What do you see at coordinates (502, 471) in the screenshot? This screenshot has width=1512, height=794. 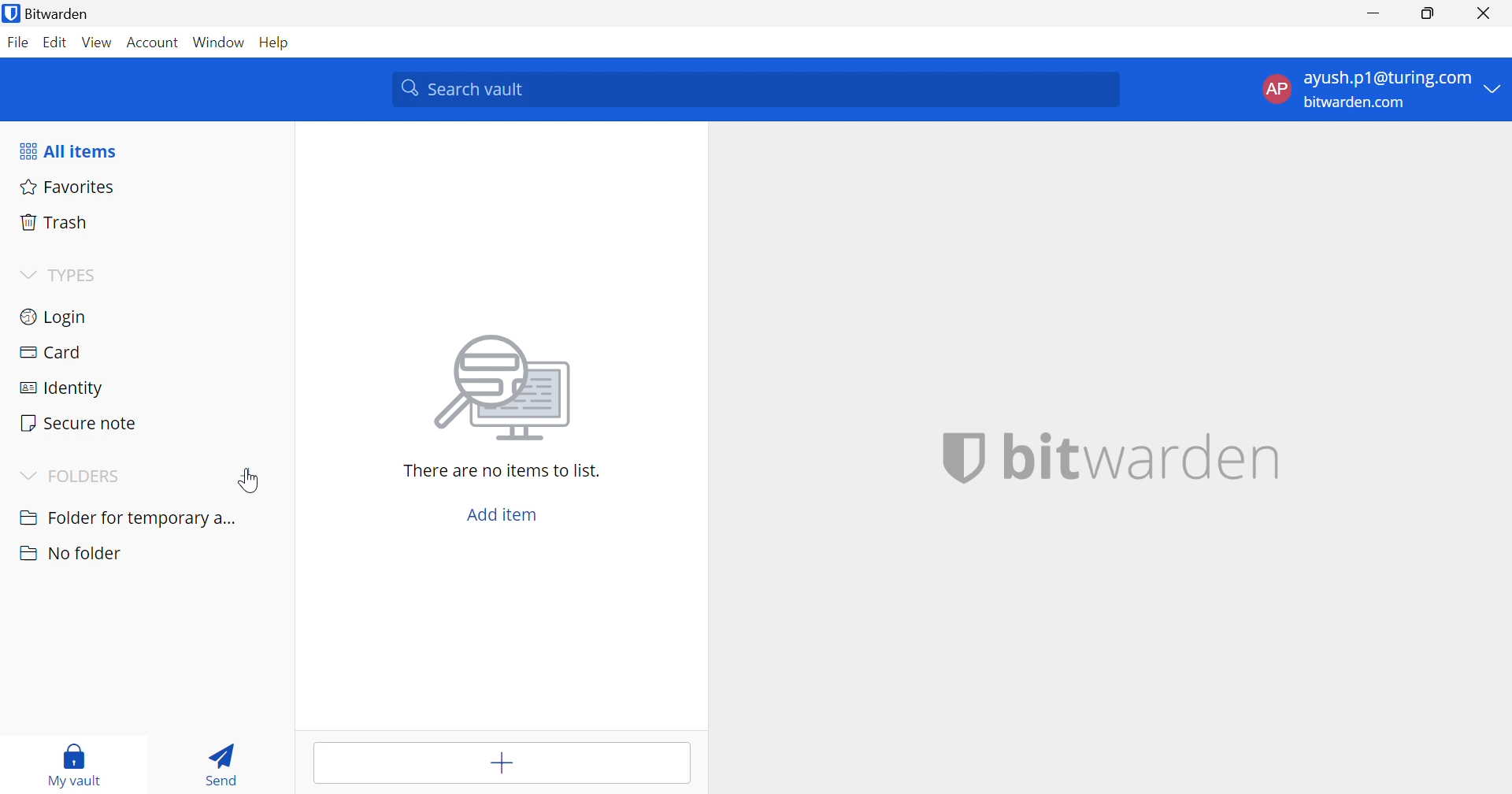 I see `There are no items to list` at bounding box center [502, 471].